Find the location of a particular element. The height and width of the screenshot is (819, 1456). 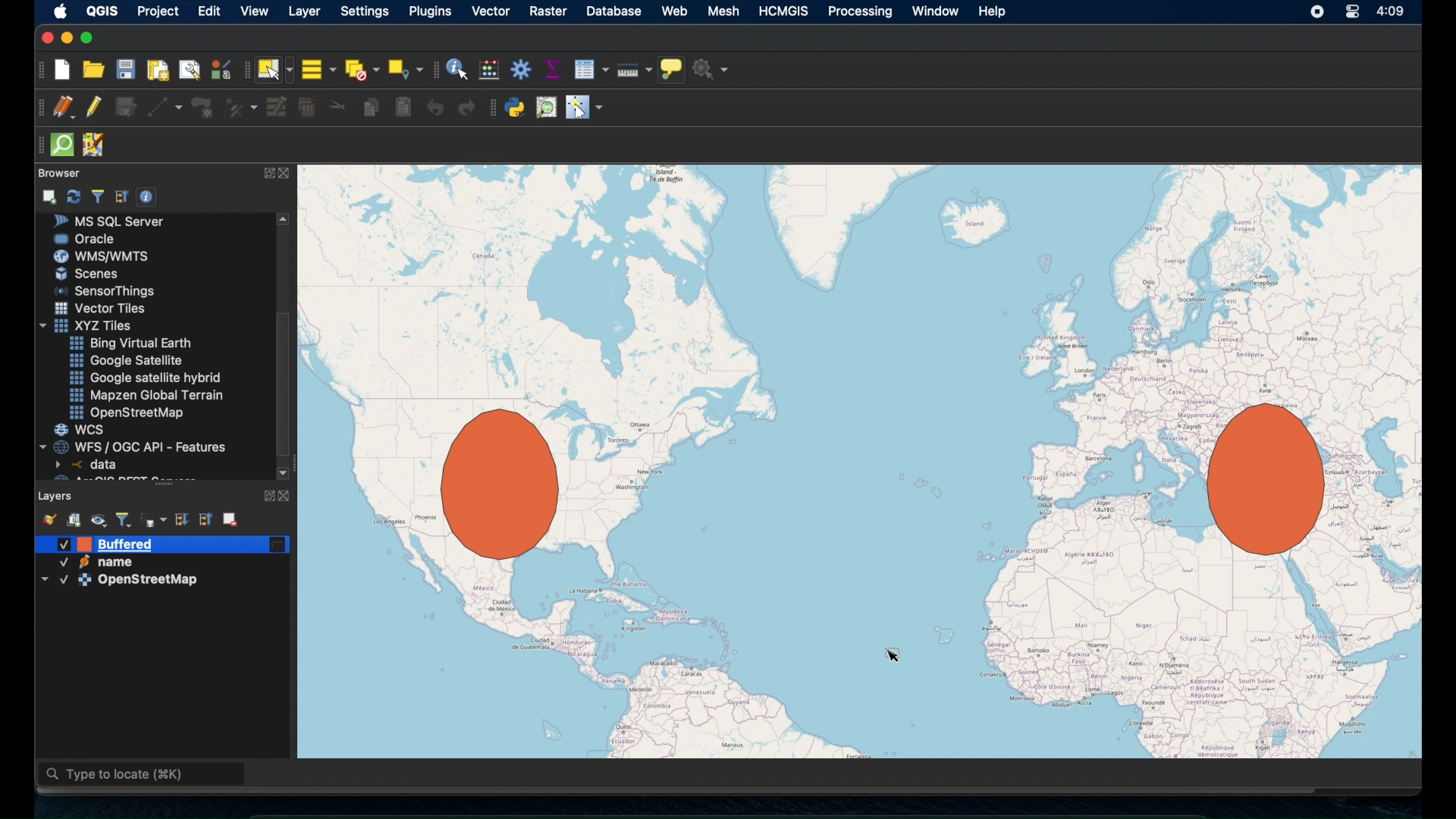

xyz tiles menu is located at coordinates (89, 325).